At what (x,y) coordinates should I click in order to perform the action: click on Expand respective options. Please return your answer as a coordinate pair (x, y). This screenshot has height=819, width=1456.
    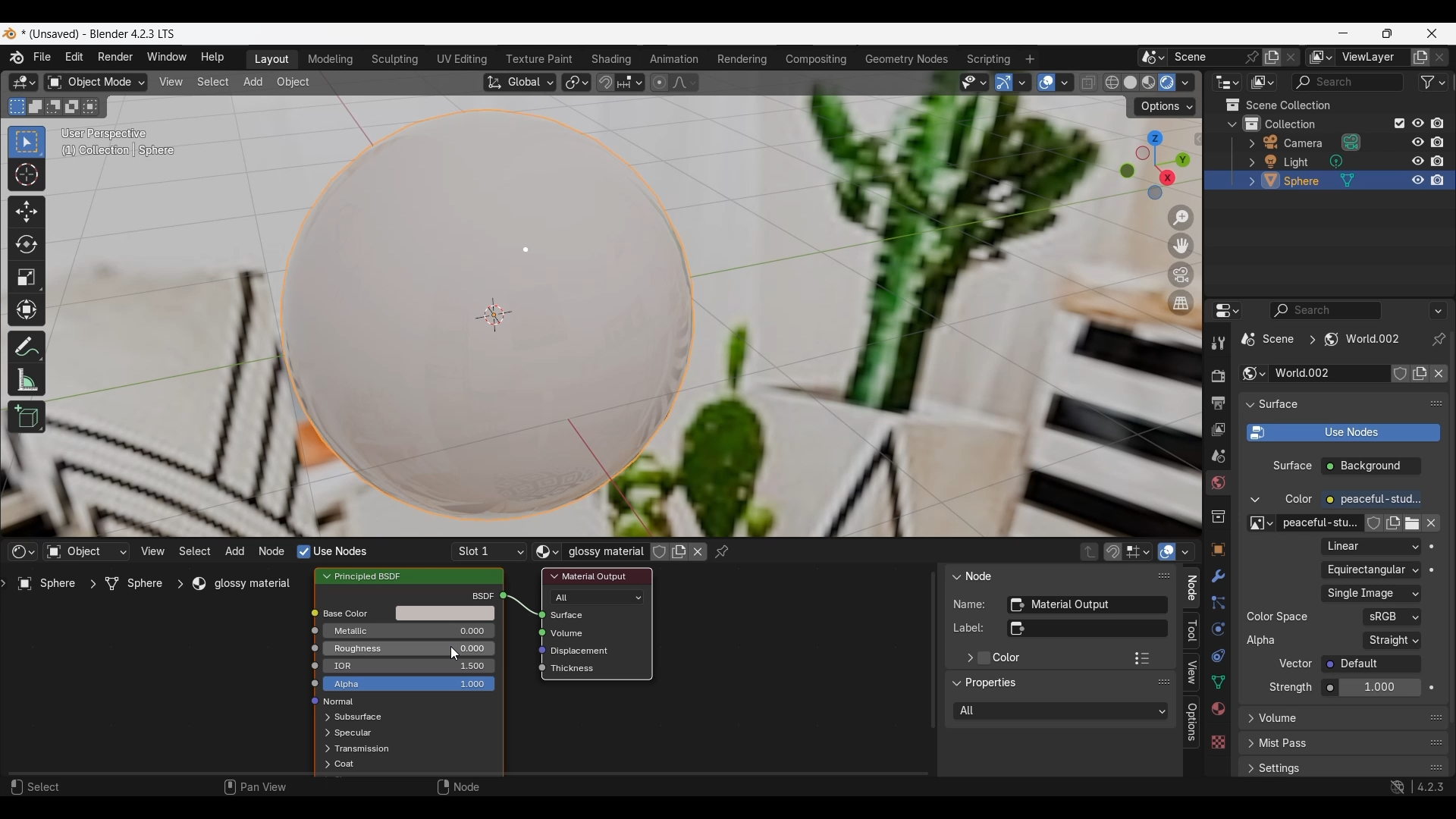
    Looking at the image, I should click on (1247, 723).